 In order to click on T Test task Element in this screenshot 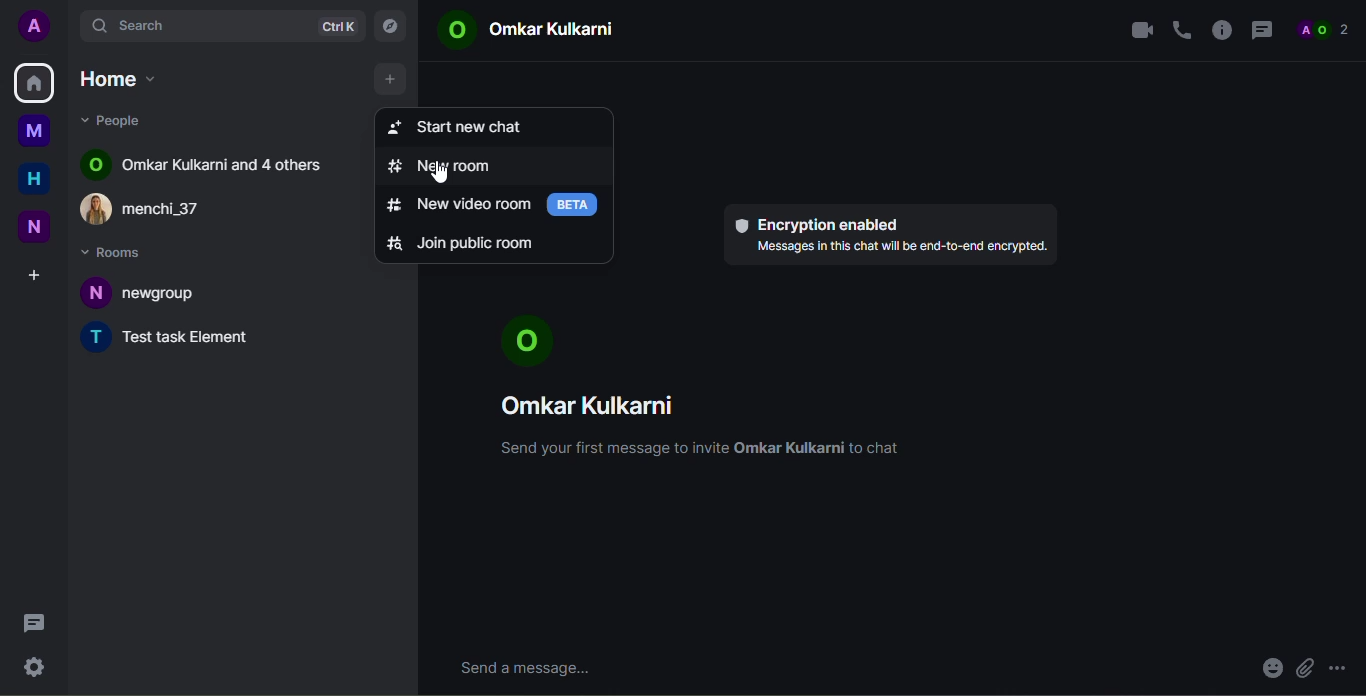, I will do `click(175, 339)`.